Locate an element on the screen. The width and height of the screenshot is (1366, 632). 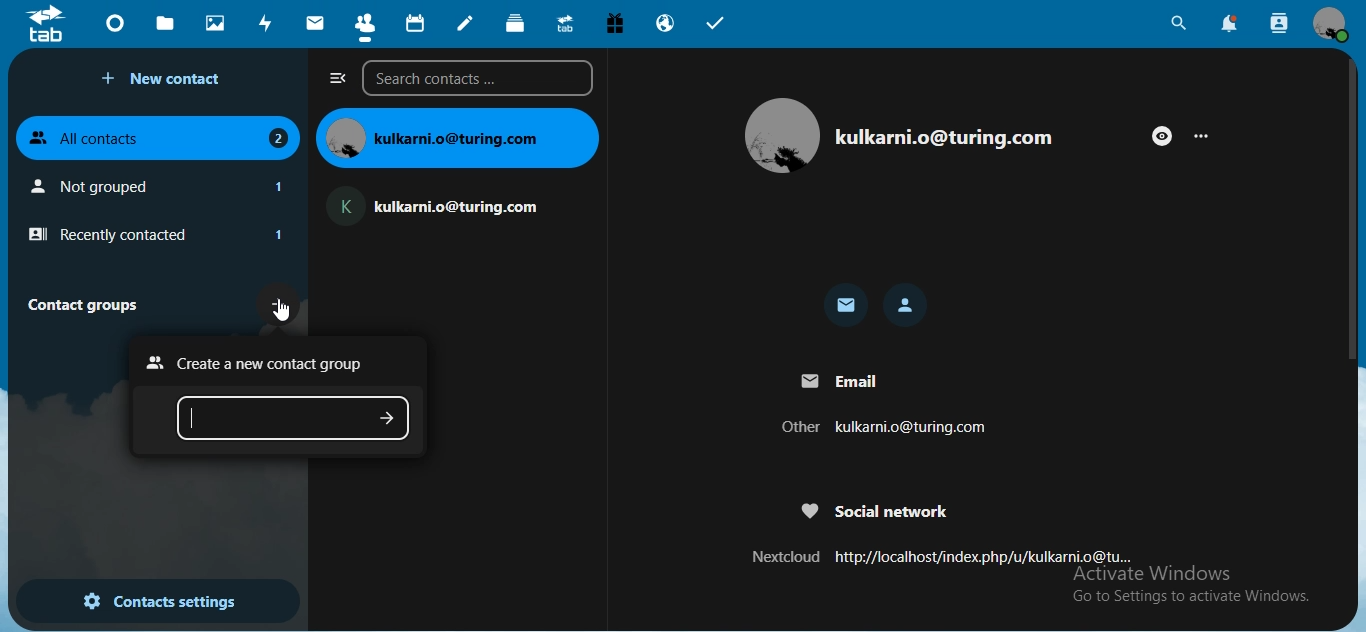
calendar is located at coordinates (417, 24).